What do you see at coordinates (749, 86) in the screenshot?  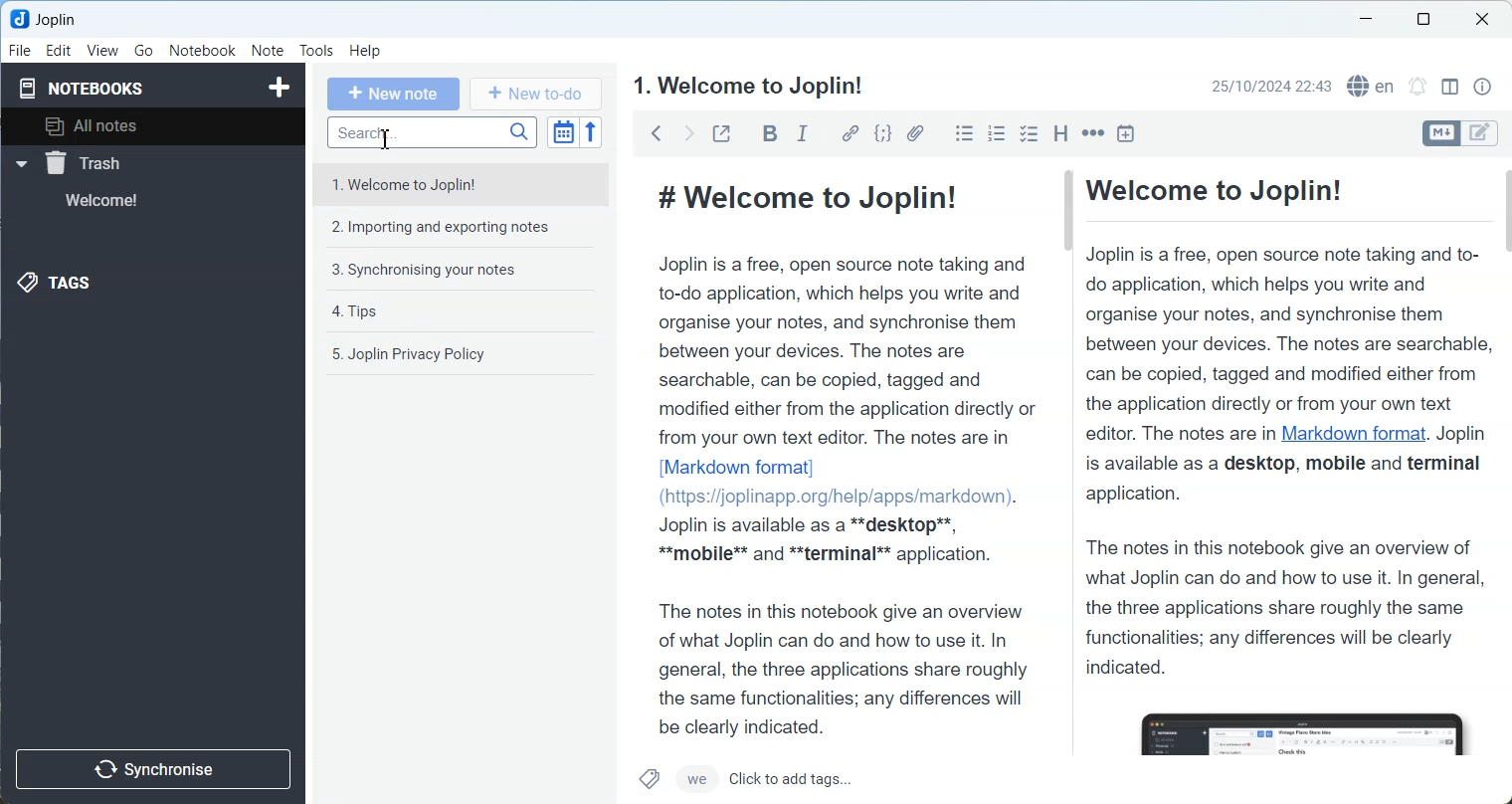 I see `welcome to joplin` at bounding box center [749, 86].